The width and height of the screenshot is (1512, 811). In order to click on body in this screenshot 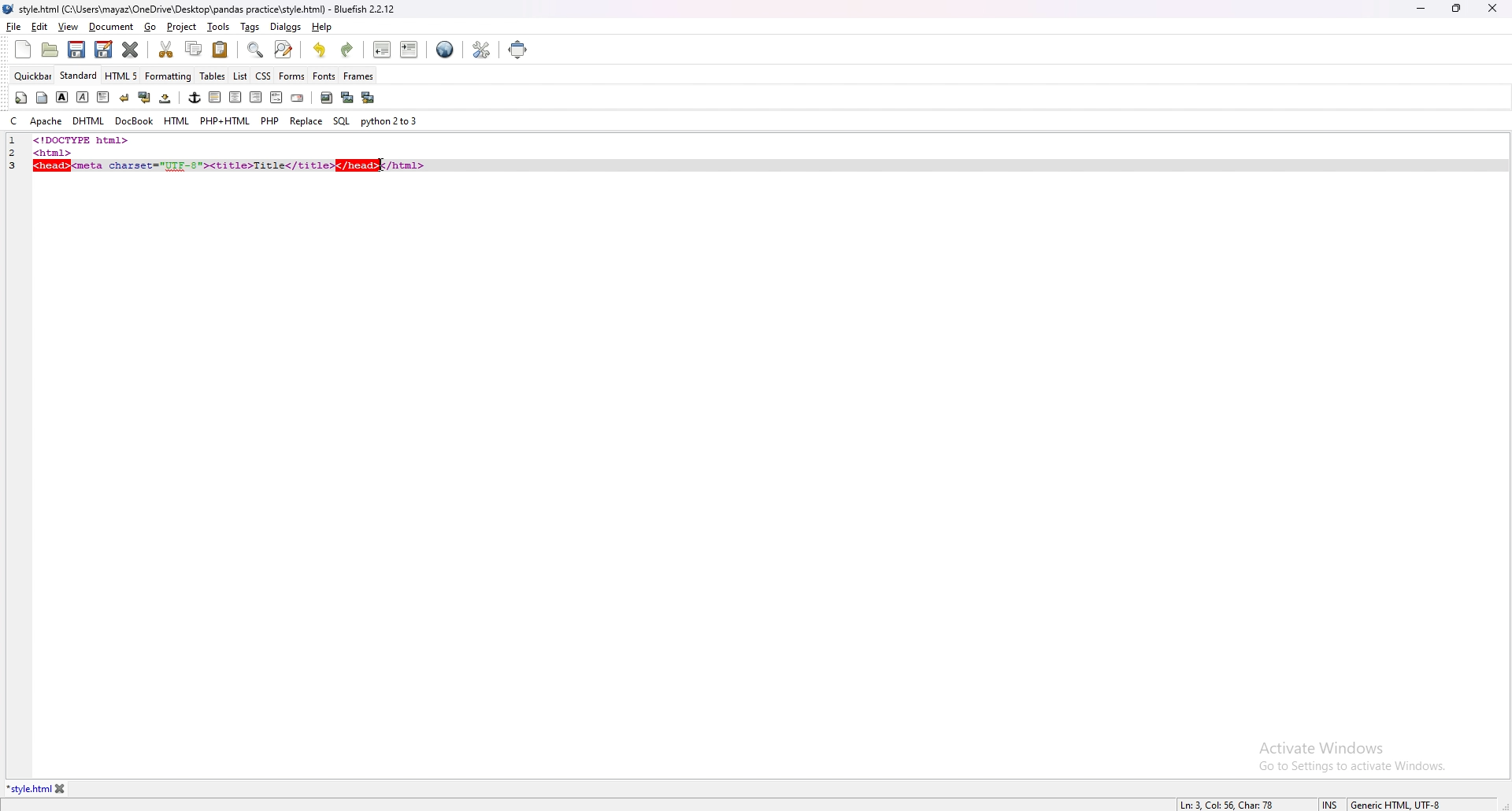, I will do `click(43, 96)`.